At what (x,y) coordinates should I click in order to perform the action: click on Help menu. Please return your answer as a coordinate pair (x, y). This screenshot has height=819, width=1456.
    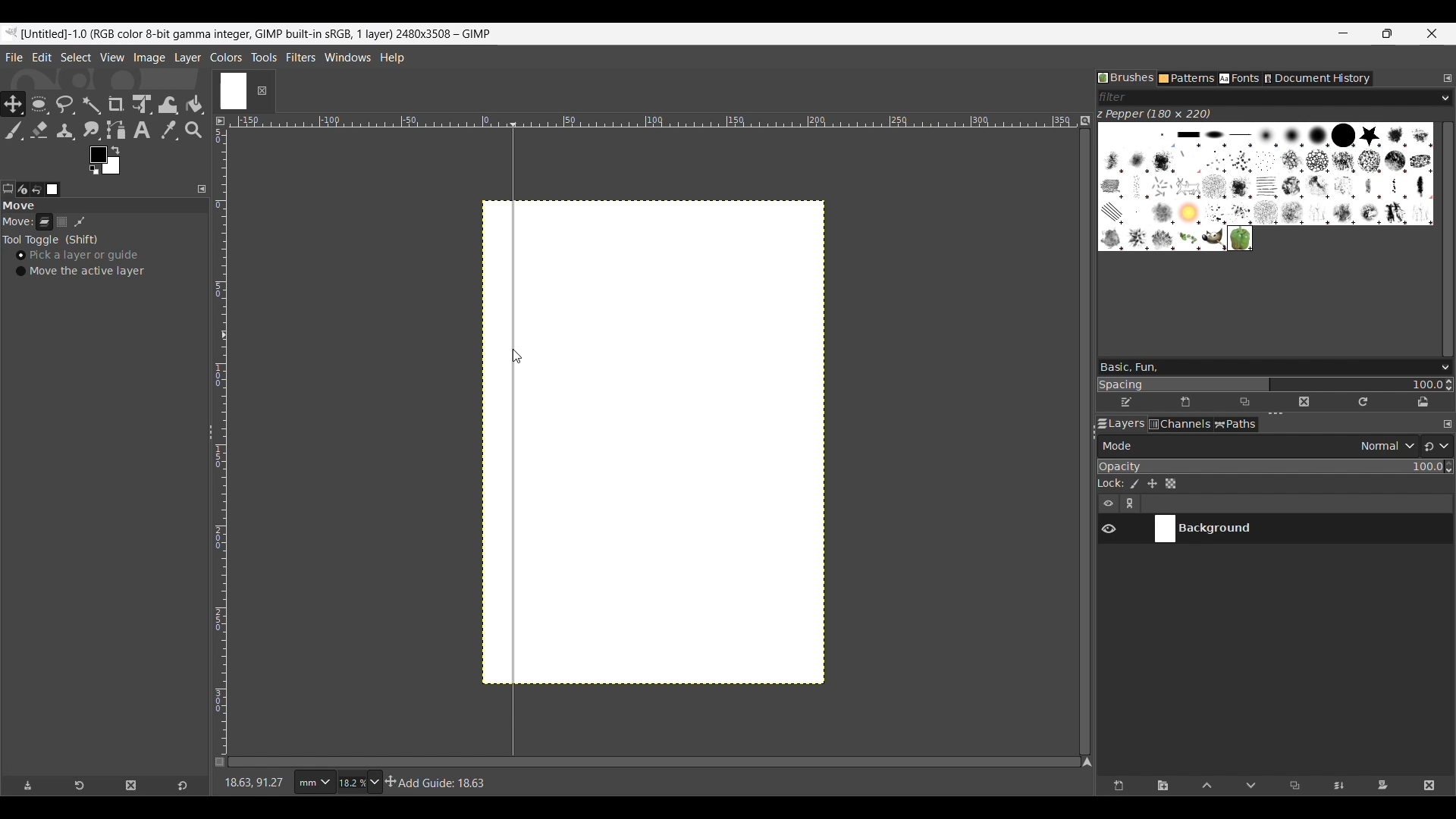
    Looking at the image, I should click on (391, 57).